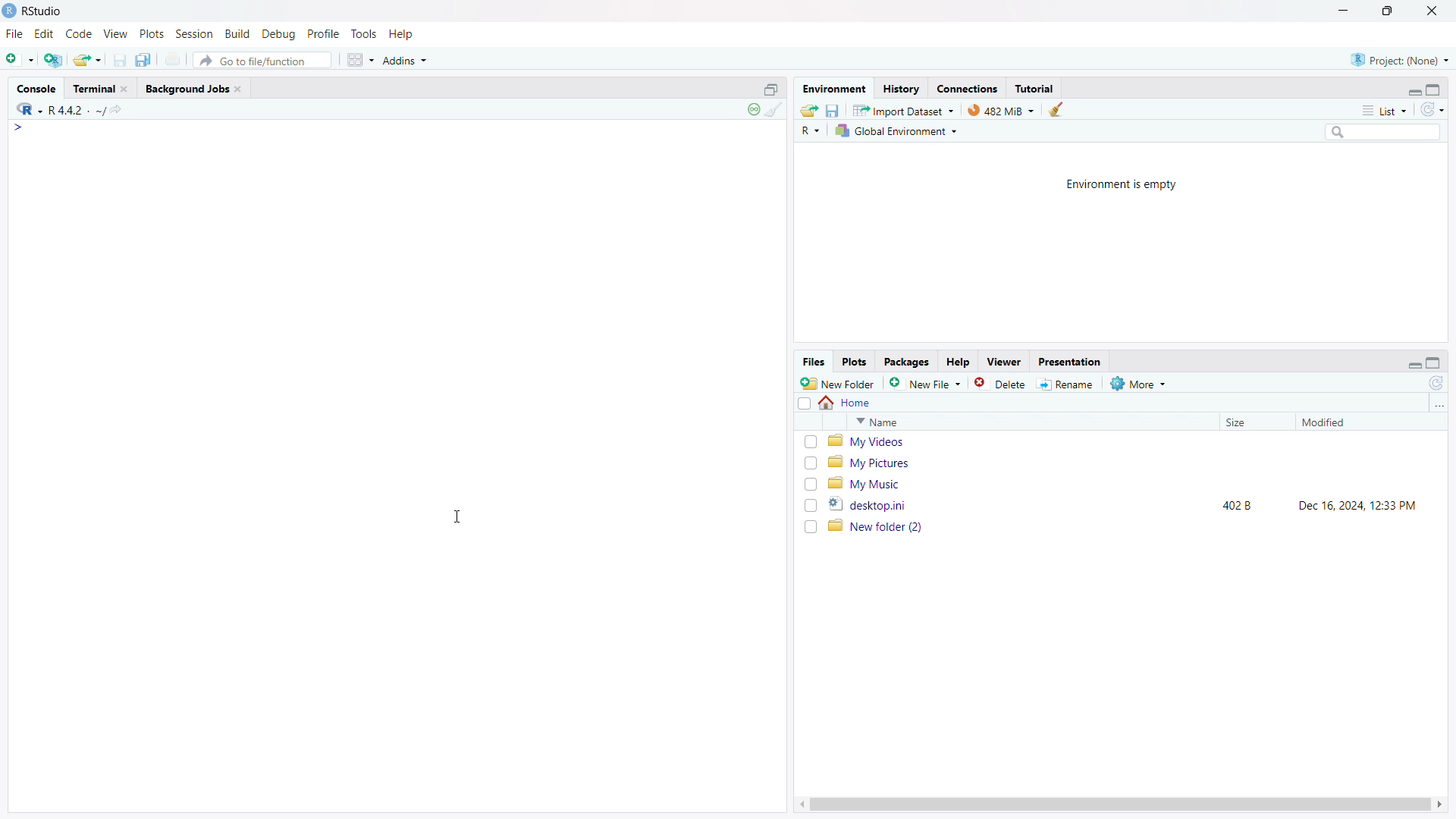  What do you see at coordinates (406, 60) in the screenshot?
I see `addins` at bounding box center [406, 60].